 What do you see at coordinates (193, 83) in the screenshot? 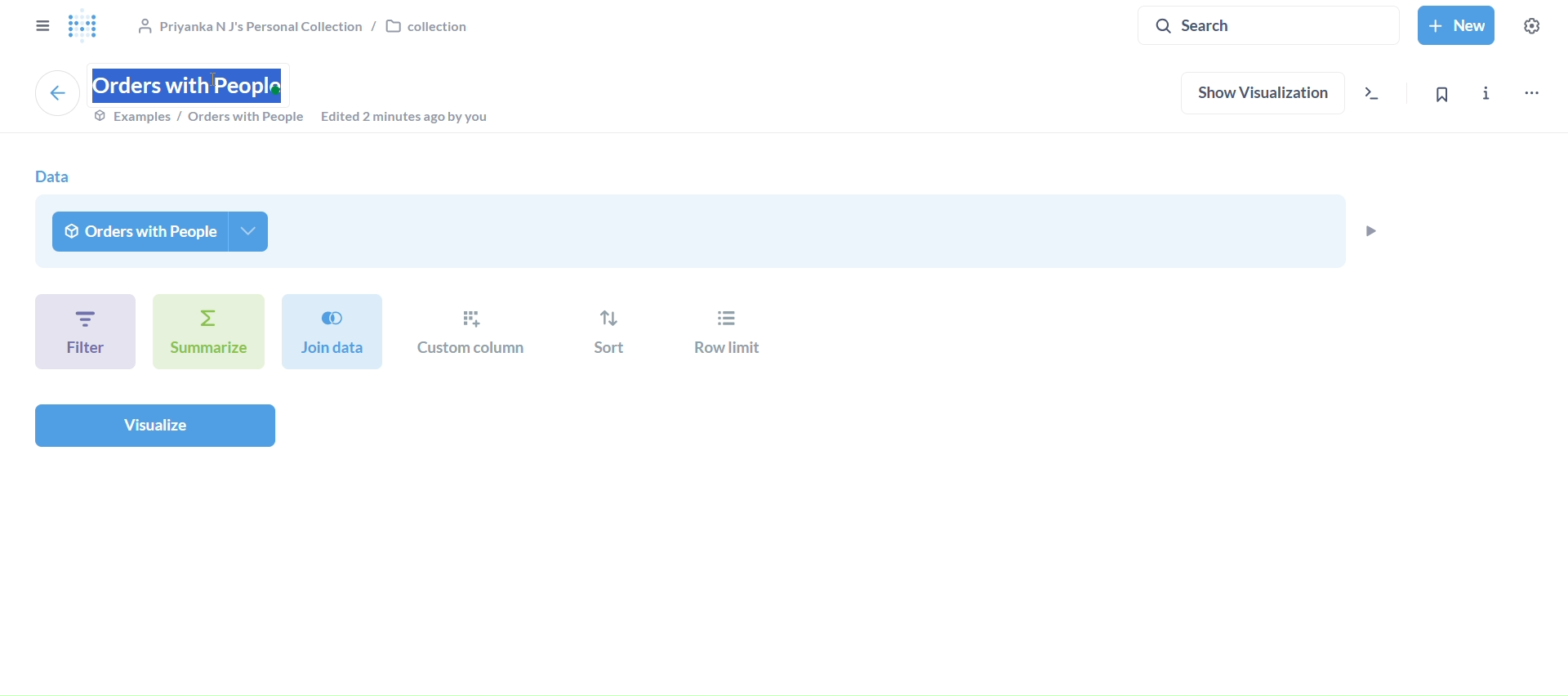
I see `orders with people` at bounding box center [193, 83].